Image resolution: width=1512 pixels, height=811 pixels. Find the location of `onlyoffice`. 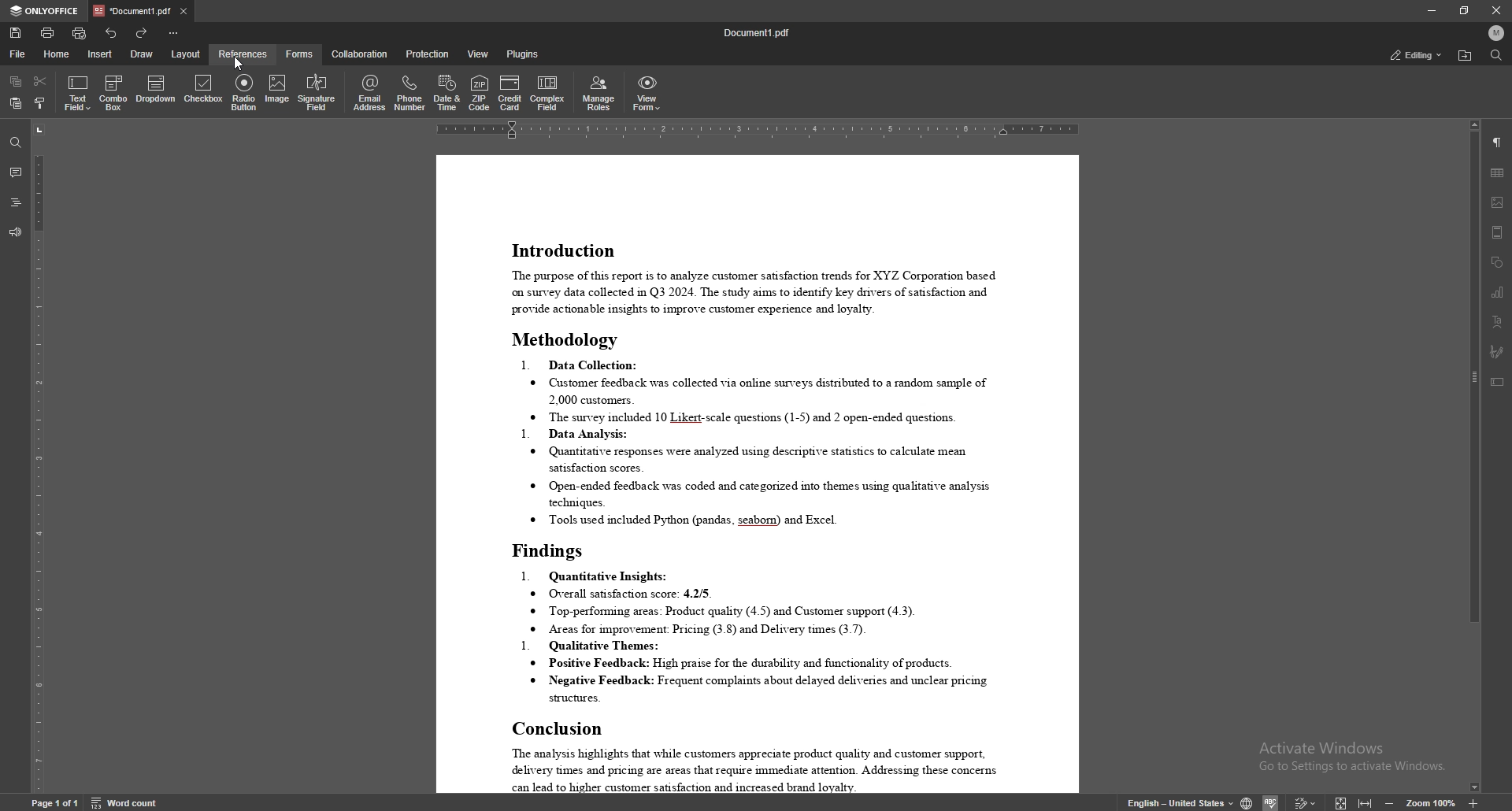

onlyoffice is located at coordinates (45, 11).